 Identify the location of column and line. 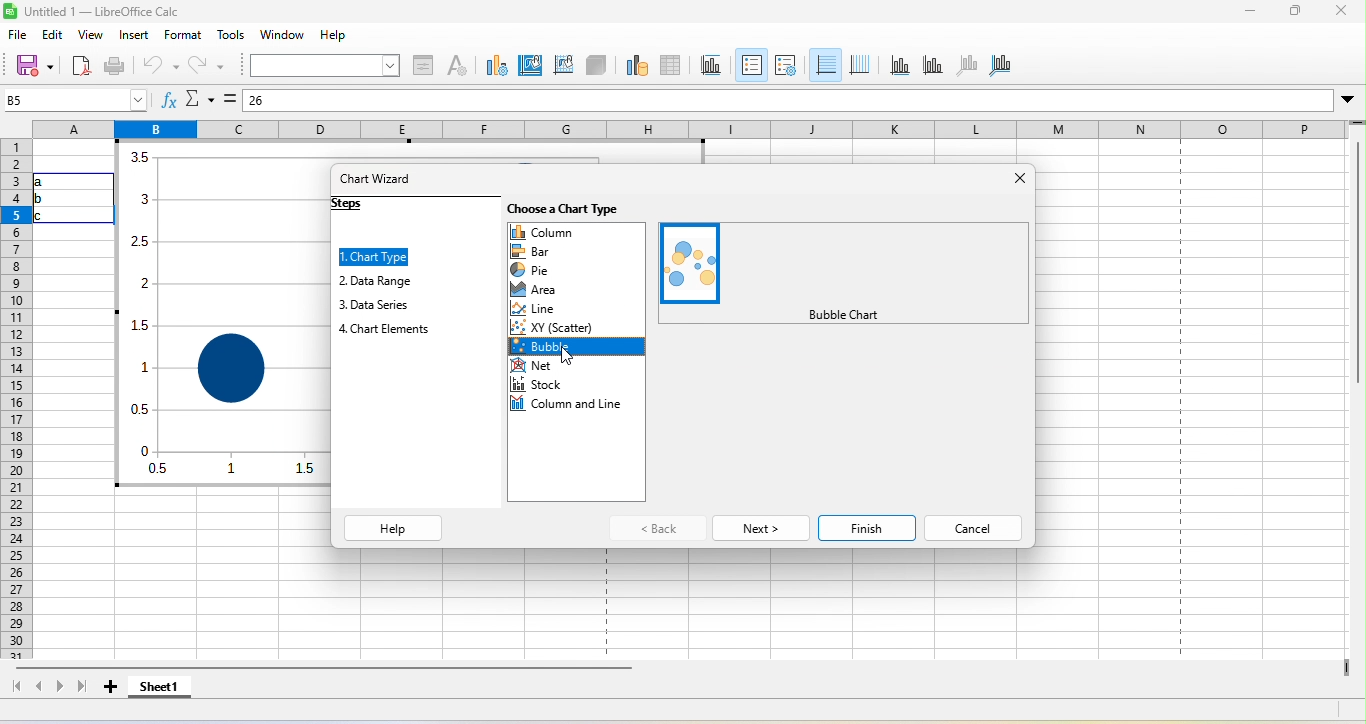
(572, 408).